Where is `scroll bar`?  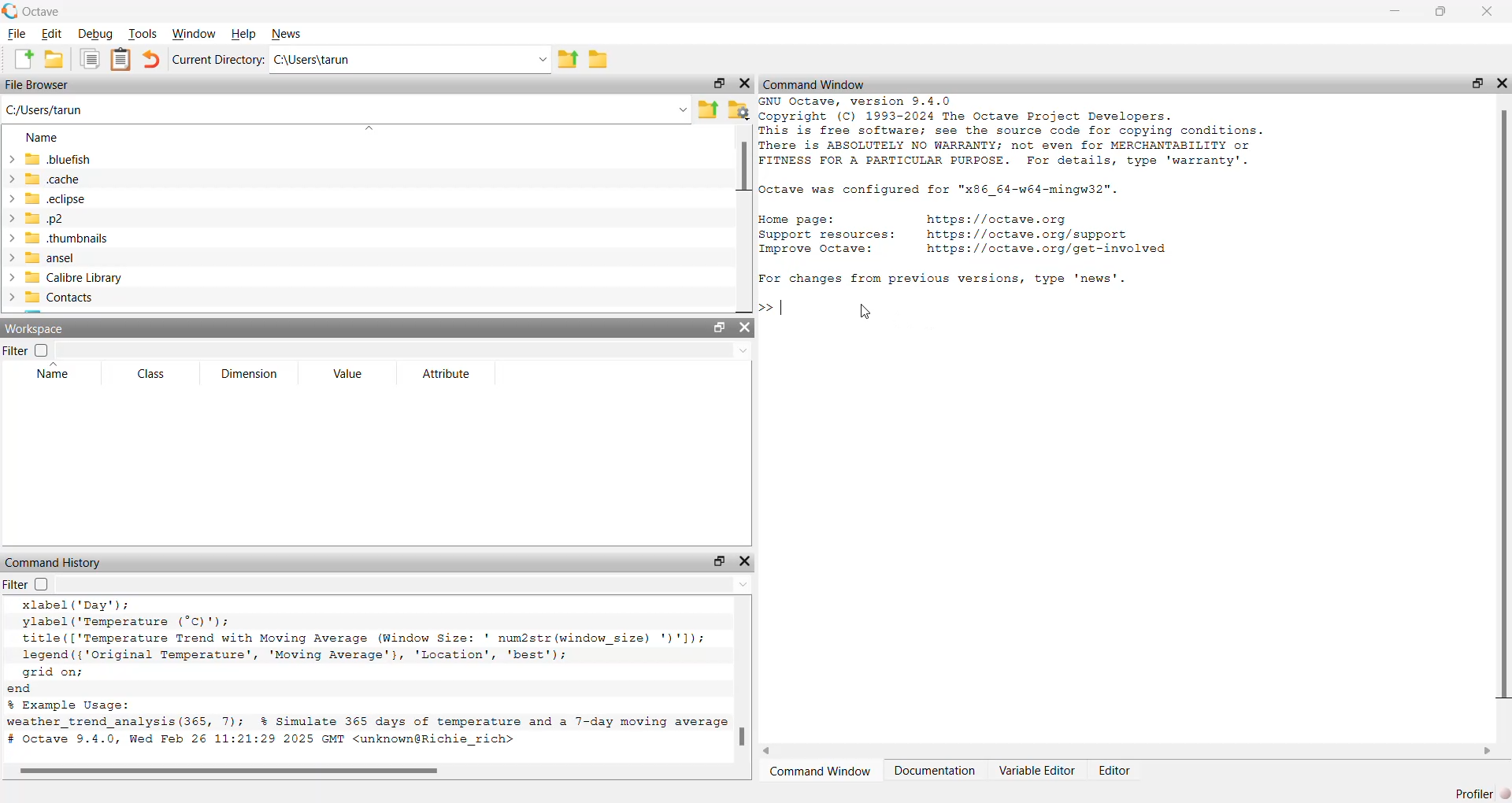 scroll bar is located at coordinates (739, 215).